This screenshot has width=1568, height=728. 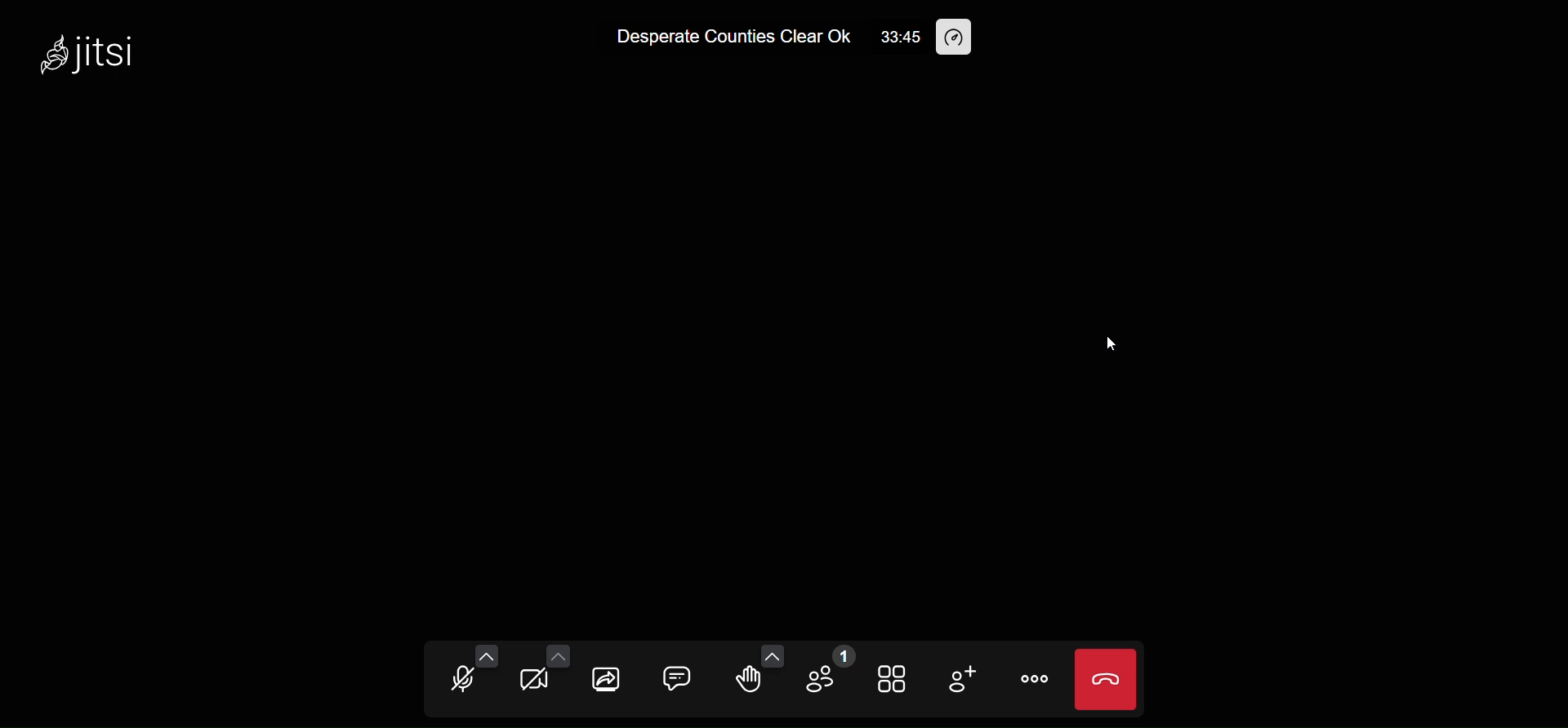 I want to click on cursor, so click(x=1111, y=340).